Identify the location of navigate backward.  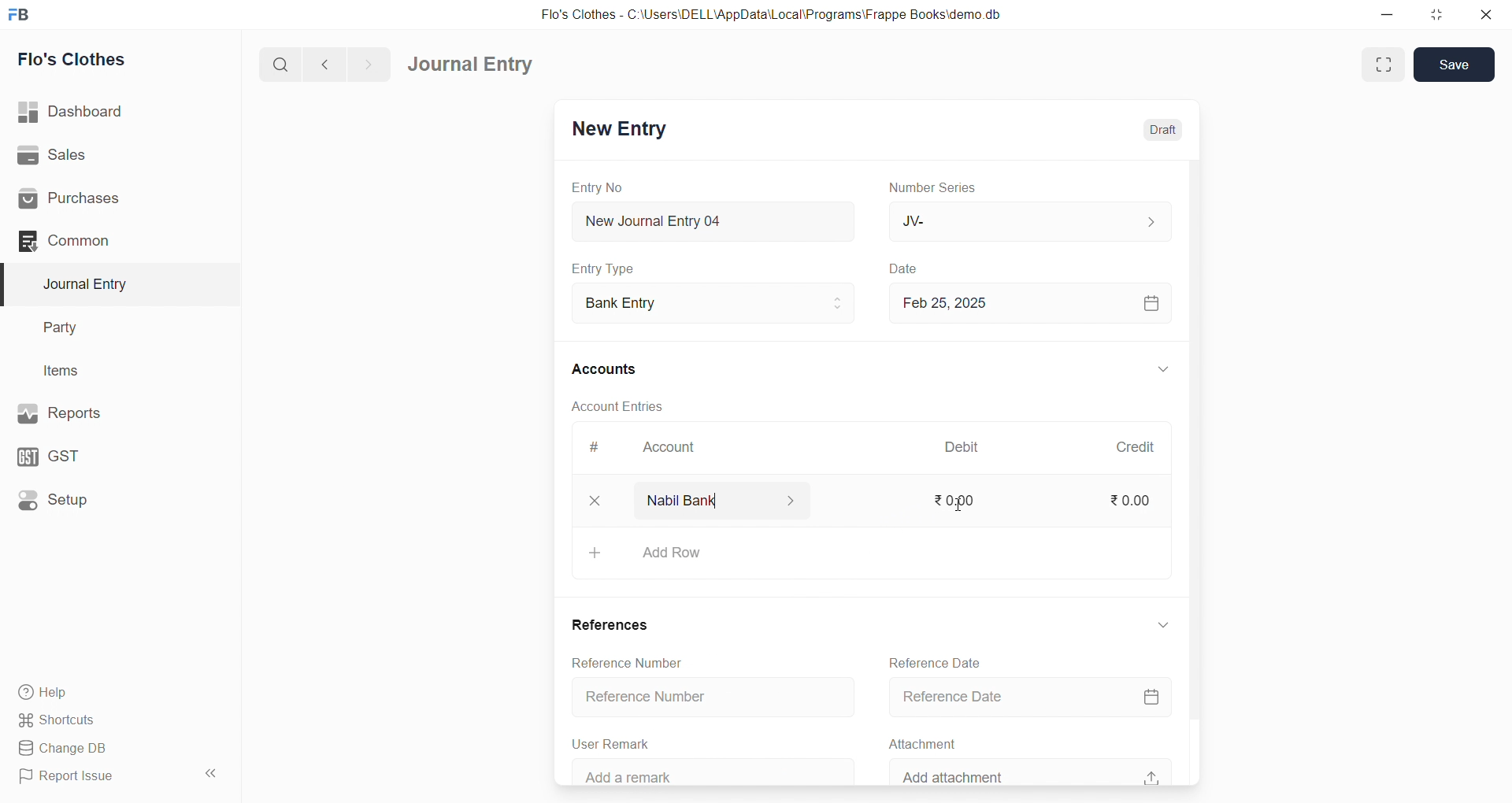
(332, 62).